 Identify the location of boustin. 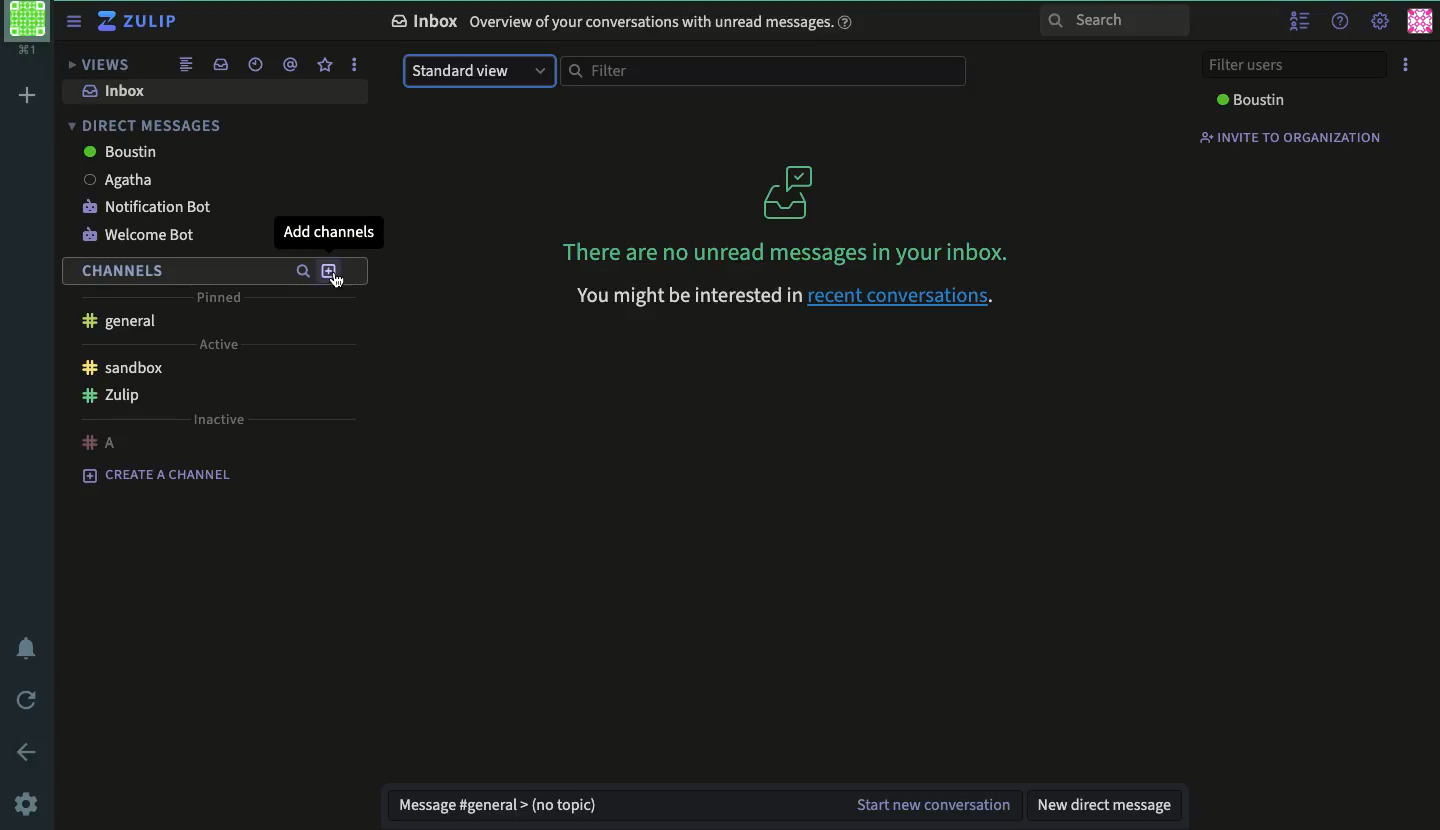
(1251, 100).